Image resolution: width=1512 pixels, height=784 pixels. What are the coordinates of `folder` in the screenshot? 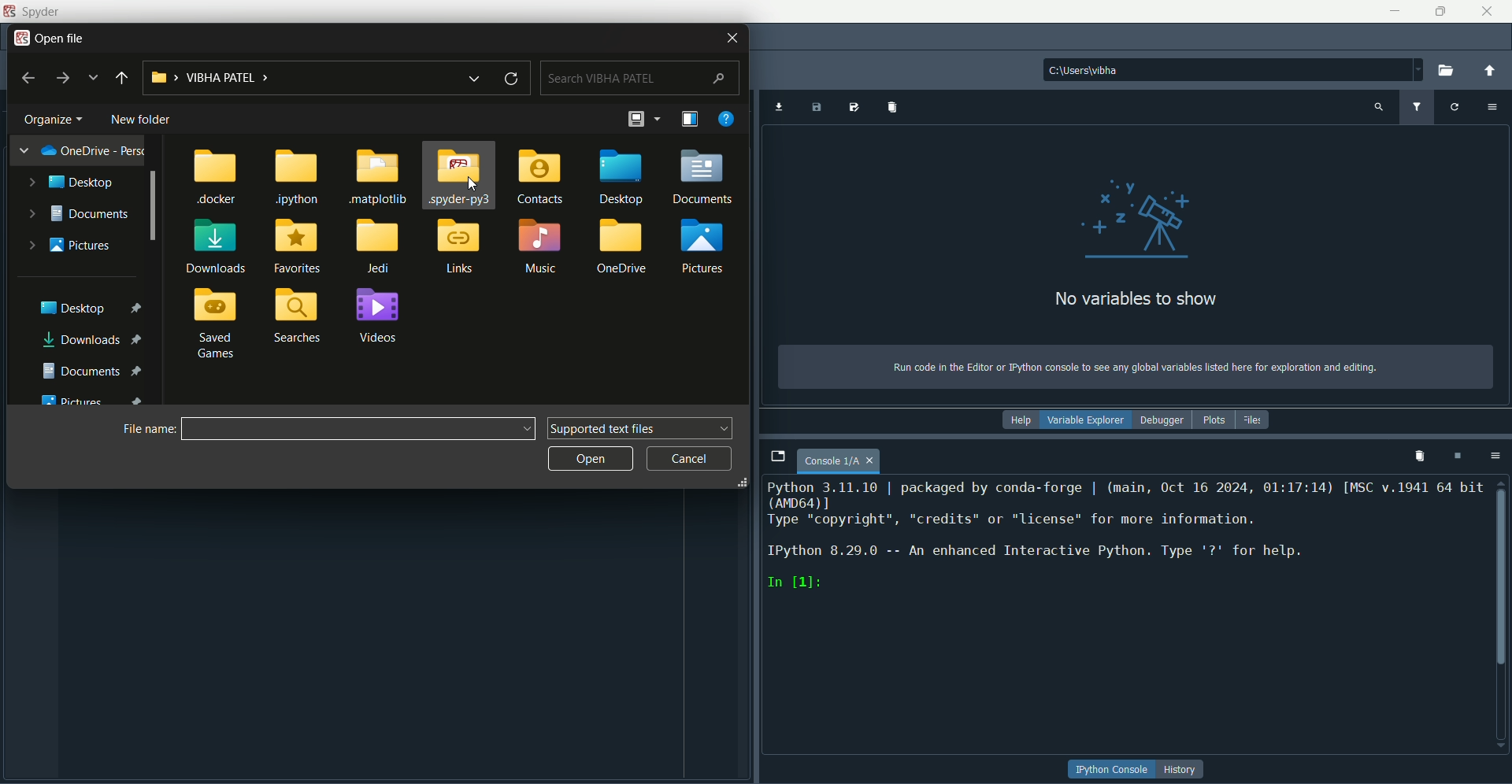 It's located at (376, 316).